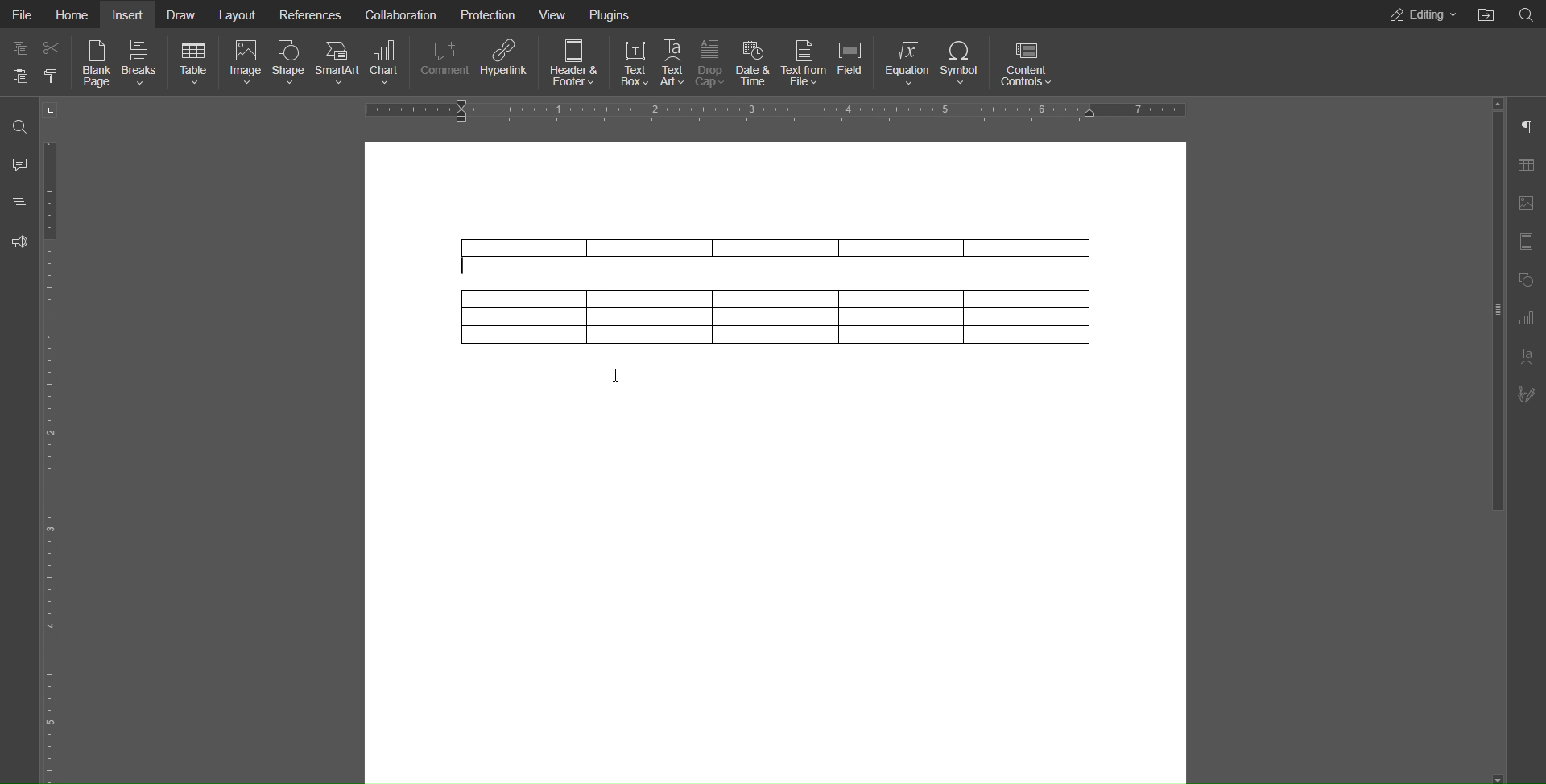 The height and width of the screenshot is (784, 1546). Describe the element at coordinates (633, 64) in the screenshot. I see `Text Box` at that location.